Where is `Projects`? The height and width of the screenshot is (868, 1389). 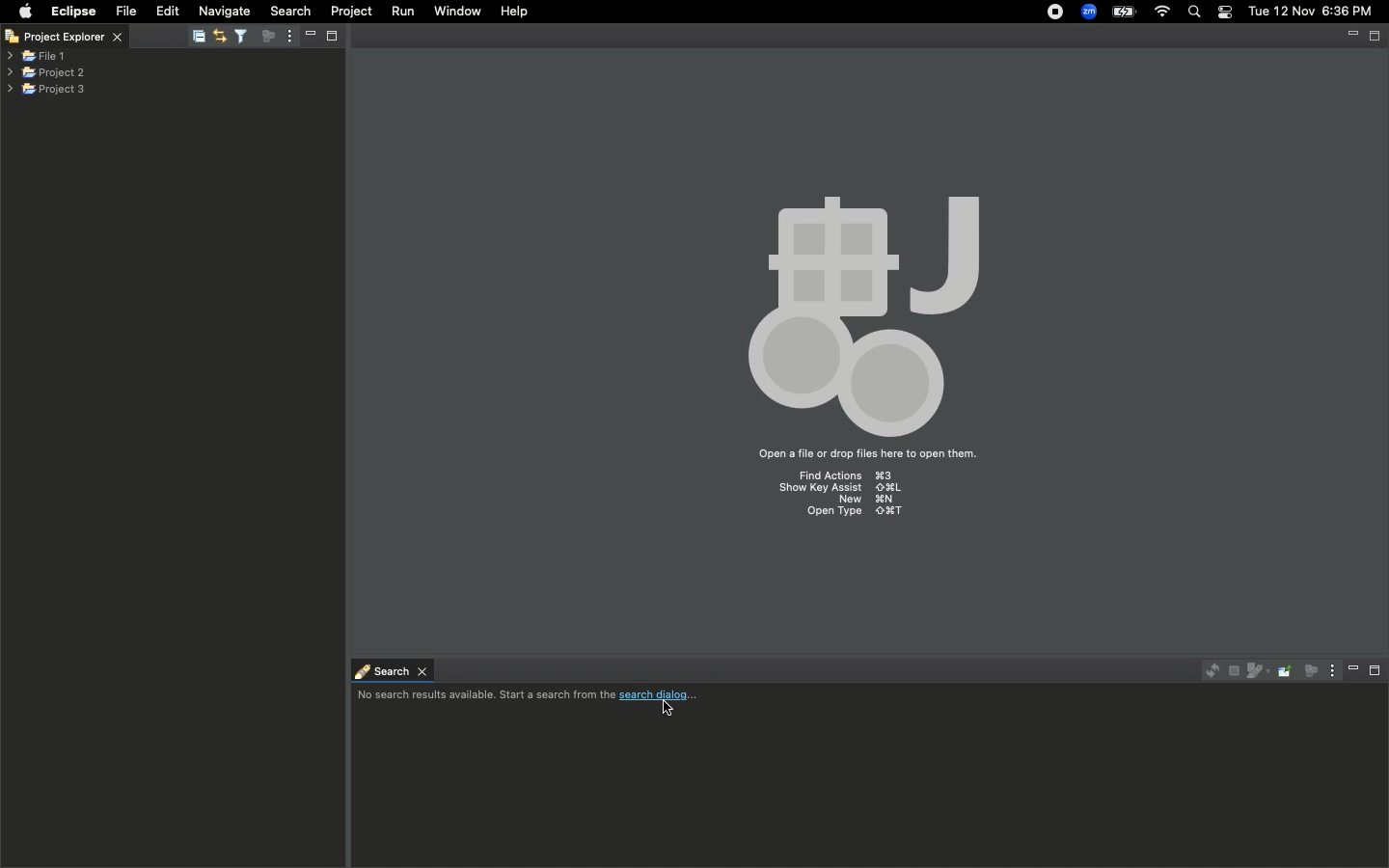
Projects is located at coordinates (47, 70).